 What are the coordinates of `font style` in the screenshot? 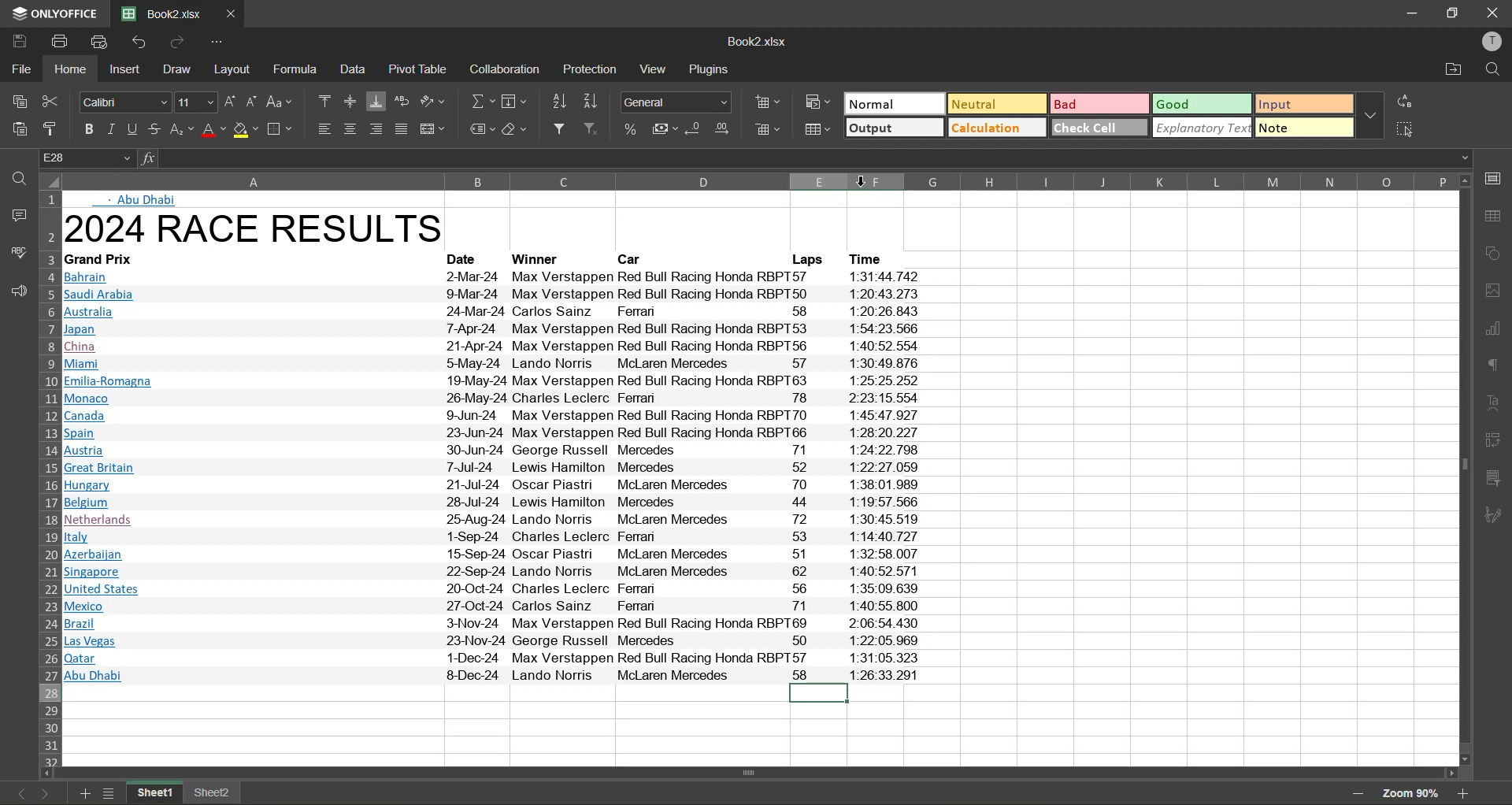 It's located at (124, 102).